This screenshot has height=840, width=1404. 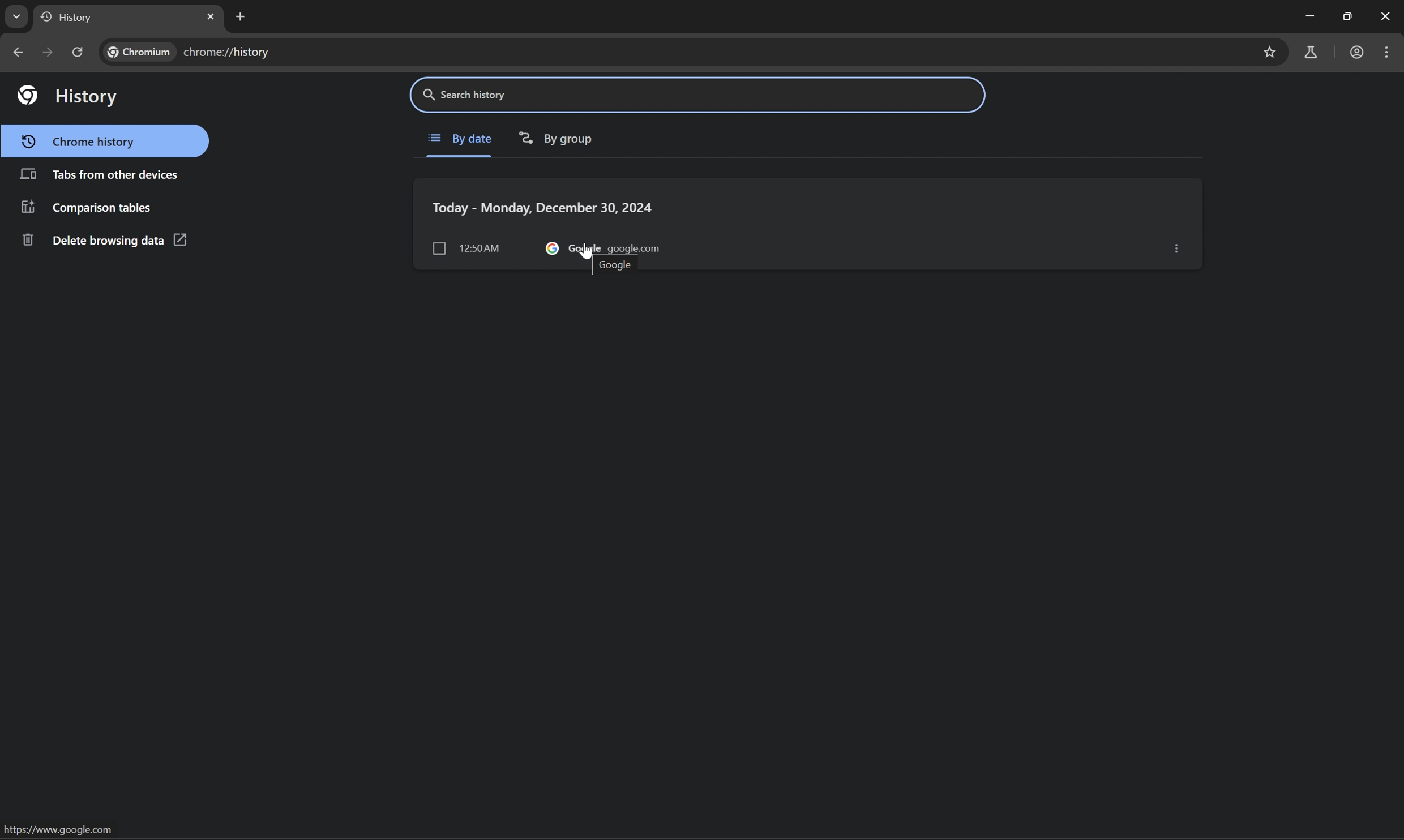 What do you see at coordinates (461, 139) in the screenshot?
I see `By date` at bounding box center [461, 139].